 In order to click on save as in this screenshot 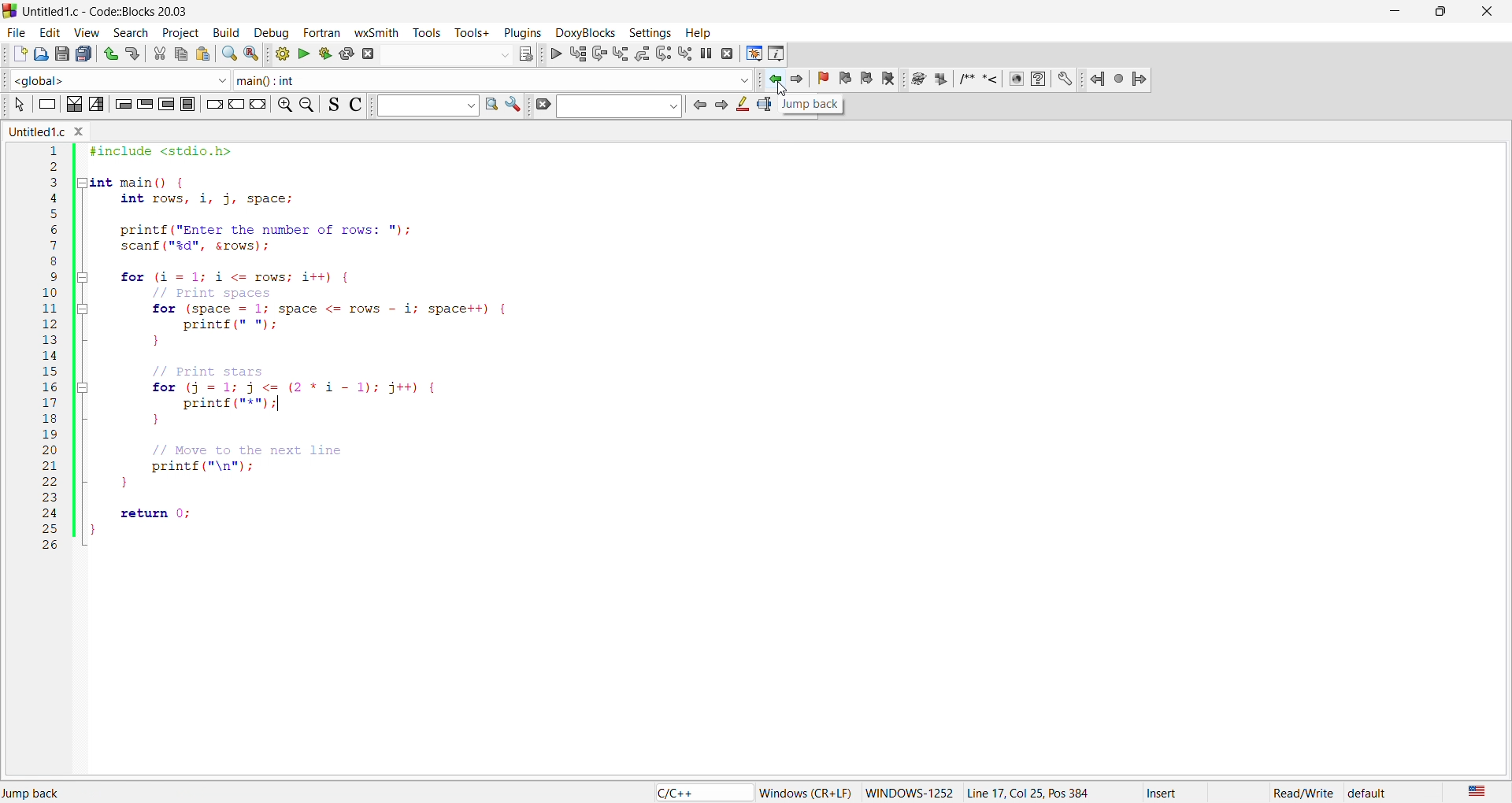, I will do `click(61, 55)`.